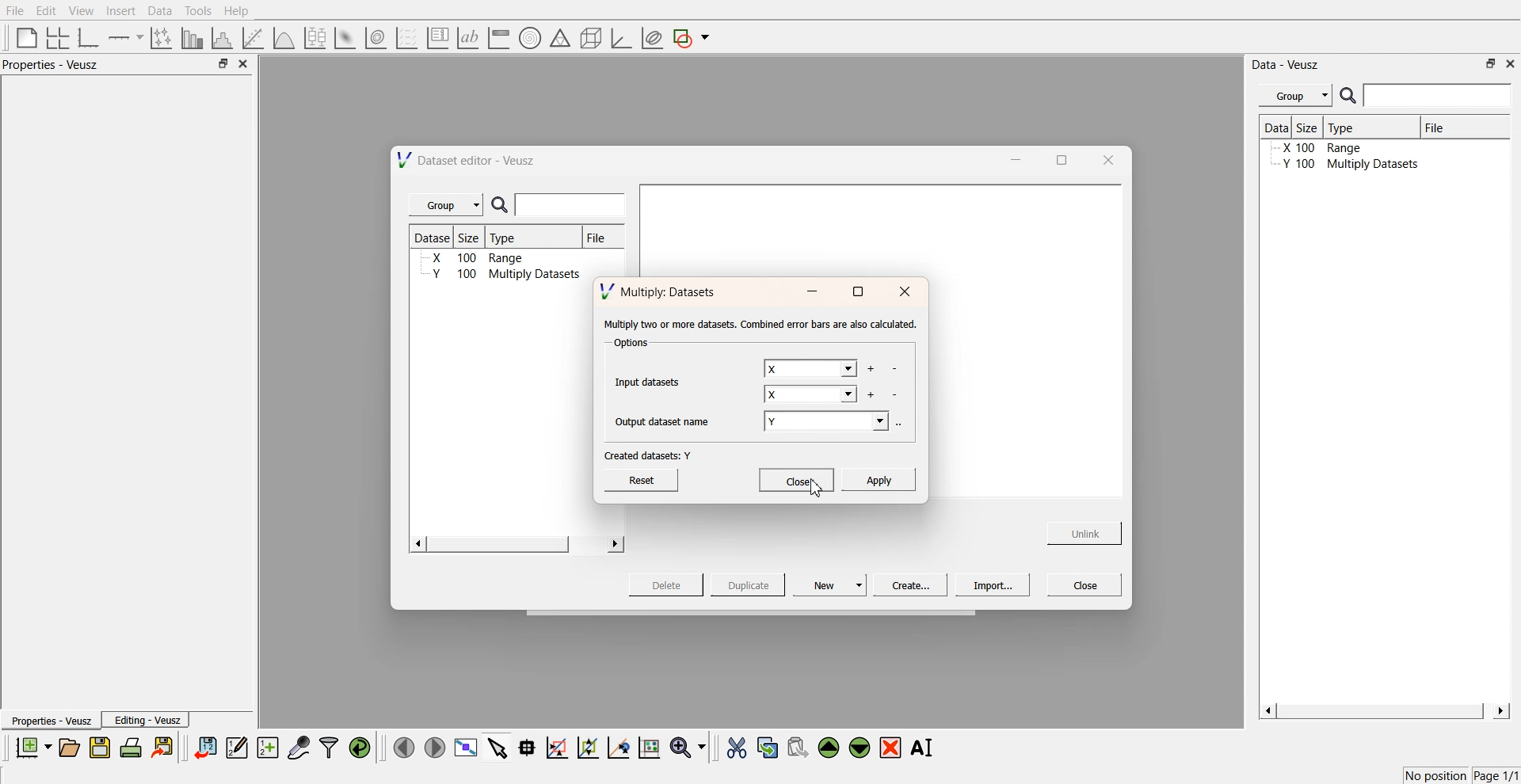 The height and width of the screenshot is (784, 1521). What do you see at coordinates (408, 38) in the screenshot?
I see `plot a vector set` at bounding box center [408, 38].